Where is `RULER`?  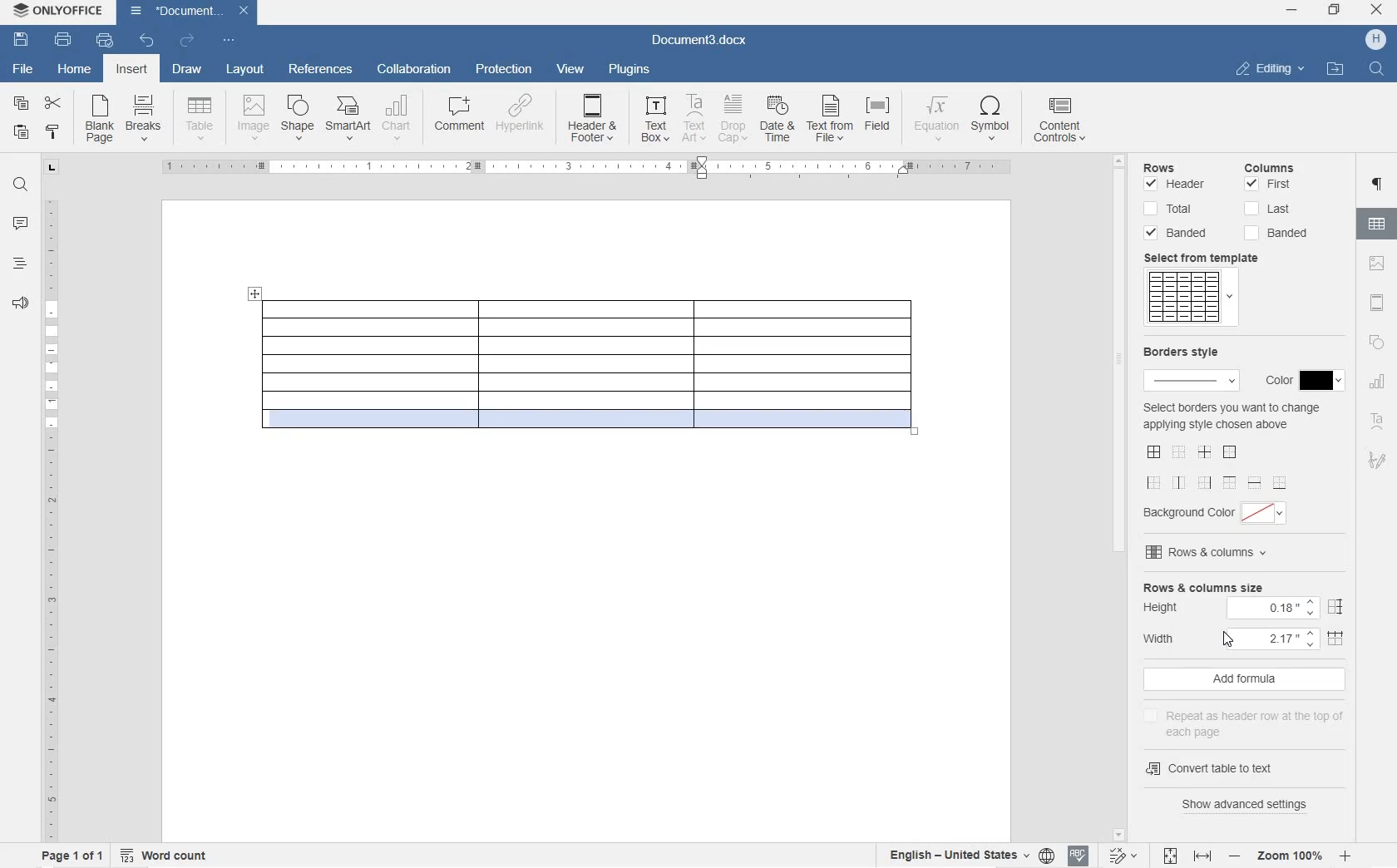 RULER is located at coordinates (49, 518).